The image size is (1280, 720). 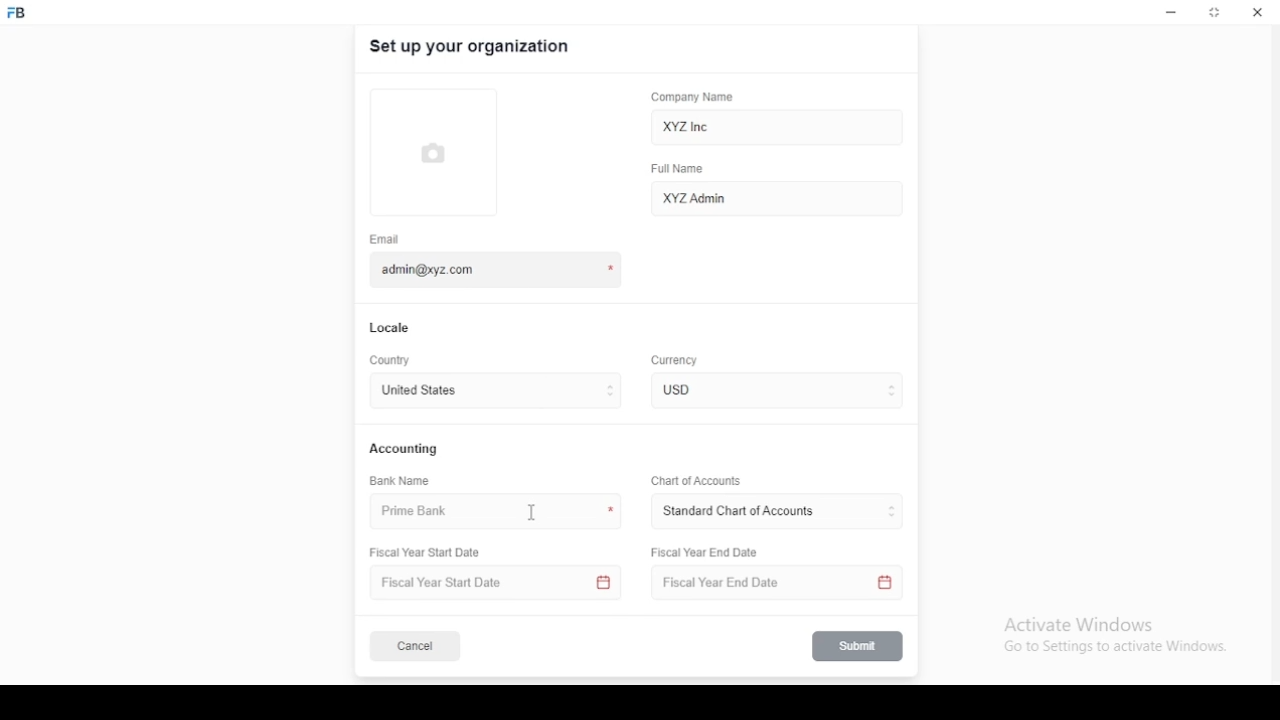 I want to click on submit, so click(x=859, y=646).